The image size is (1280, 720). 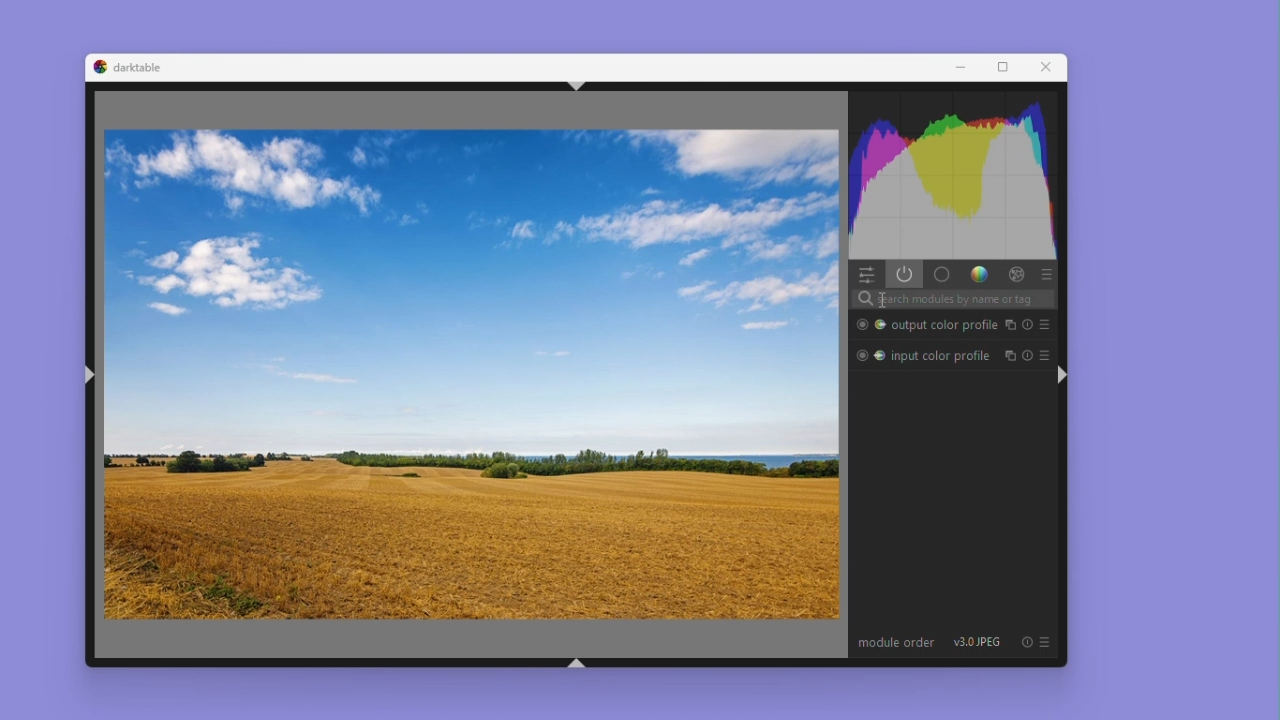 What do you see at coordinates (91, 378) in the screenshot?
I see `shift+ctrl+l` at bounding box center [91, 378].